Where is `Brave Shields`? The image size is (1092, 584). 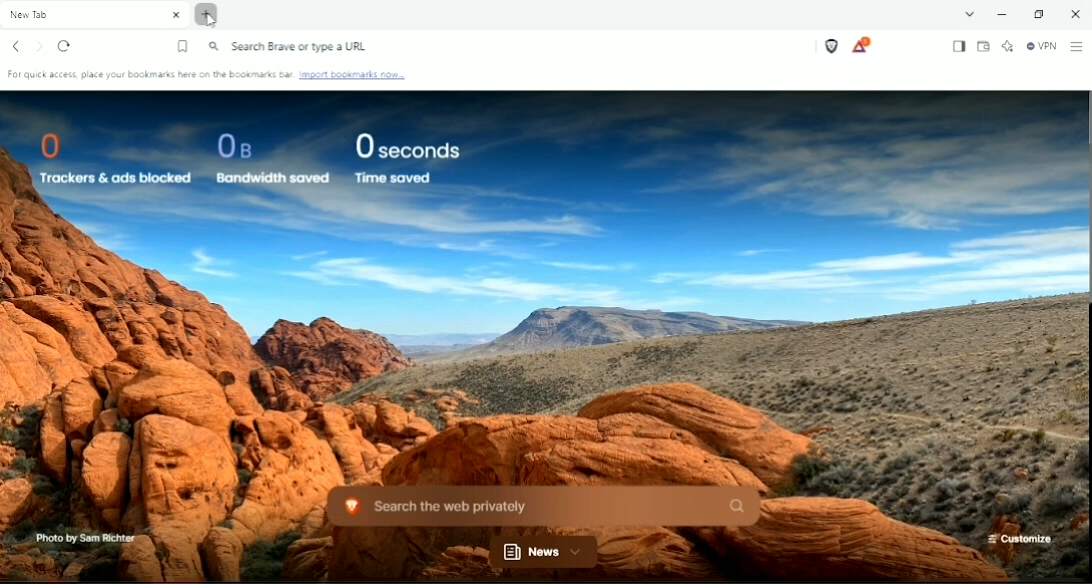
Brave Shields is located at coordinates (832, 45).